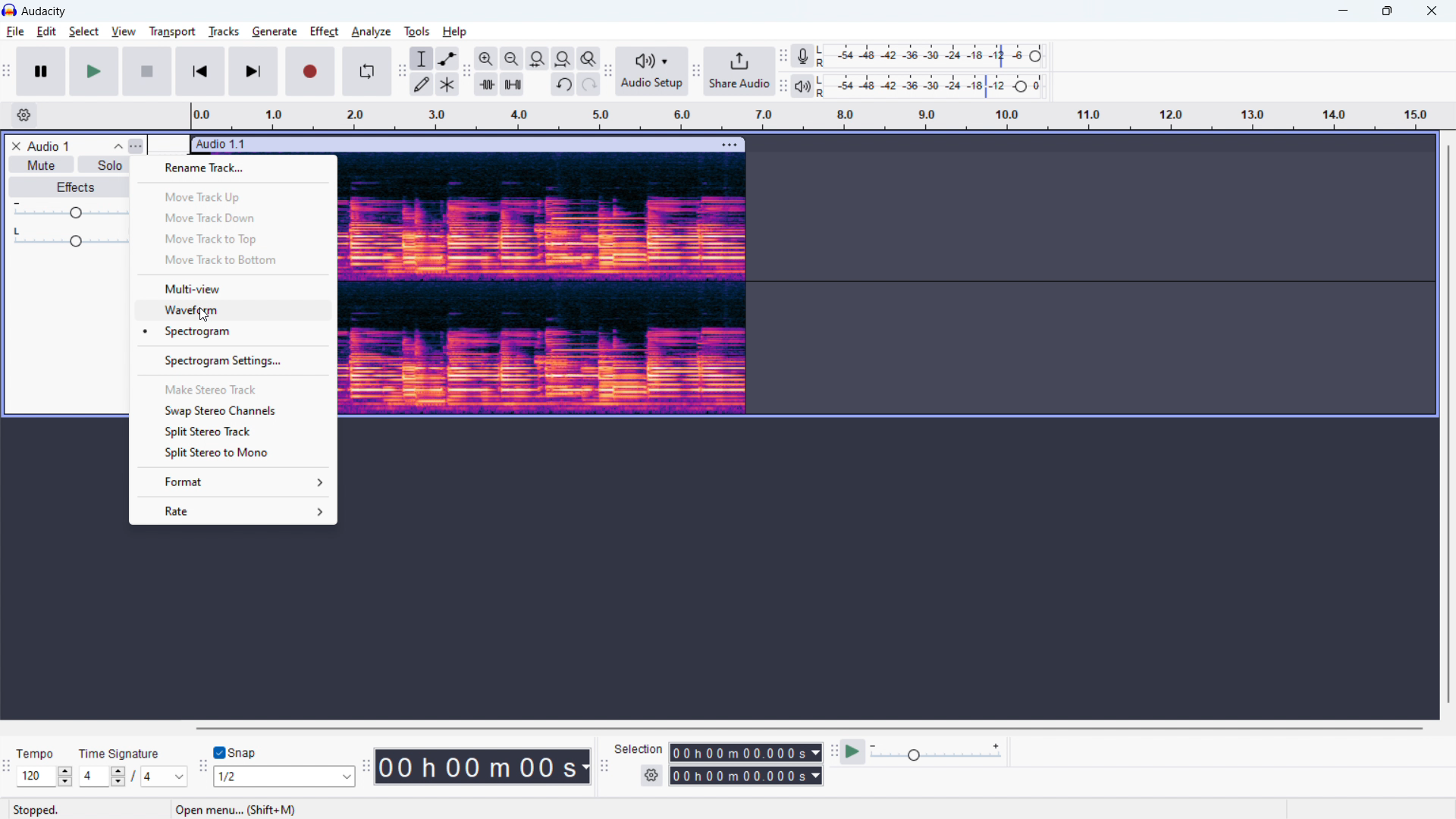 This screenshot has height=819, width=1456. What do you see at coordinates (651, 776) in the screenshot?
I see `selection settings` at bounding box center [651, 776].